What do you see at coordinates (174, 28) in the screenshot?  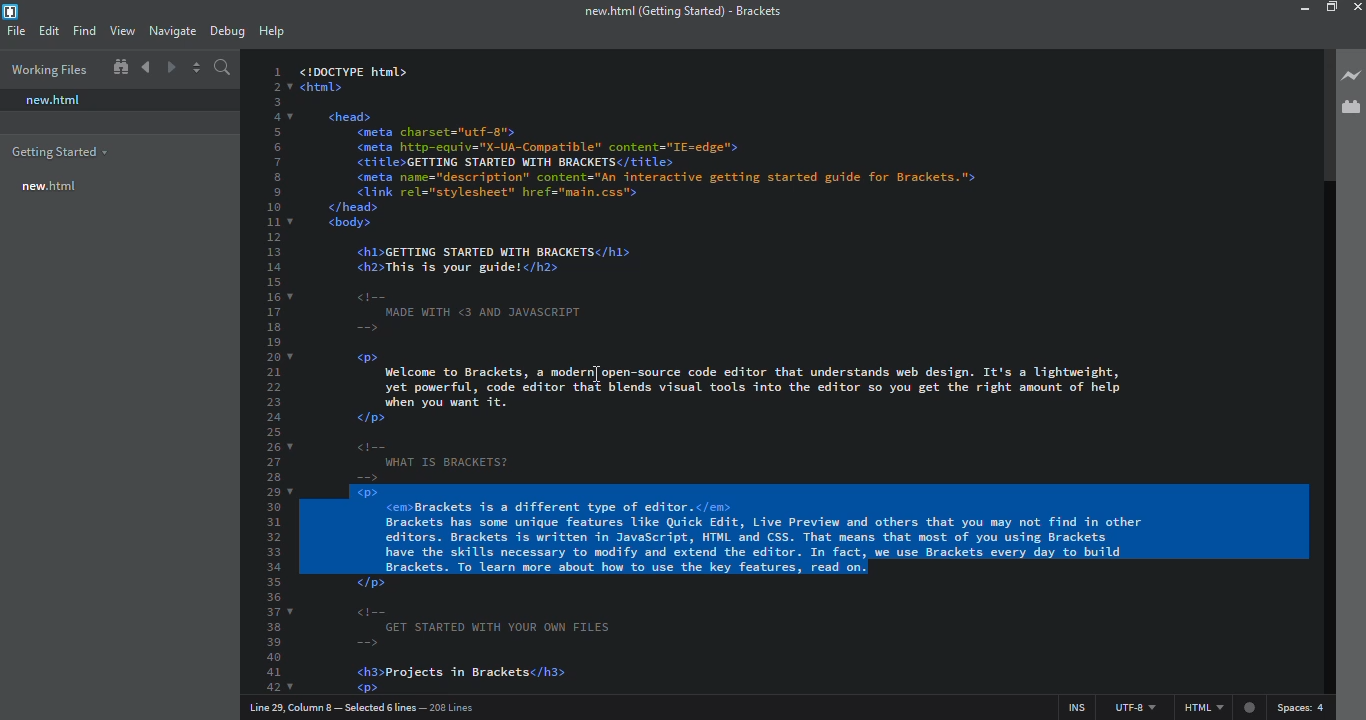 I see `navigate` at bounding box center [174, 28].